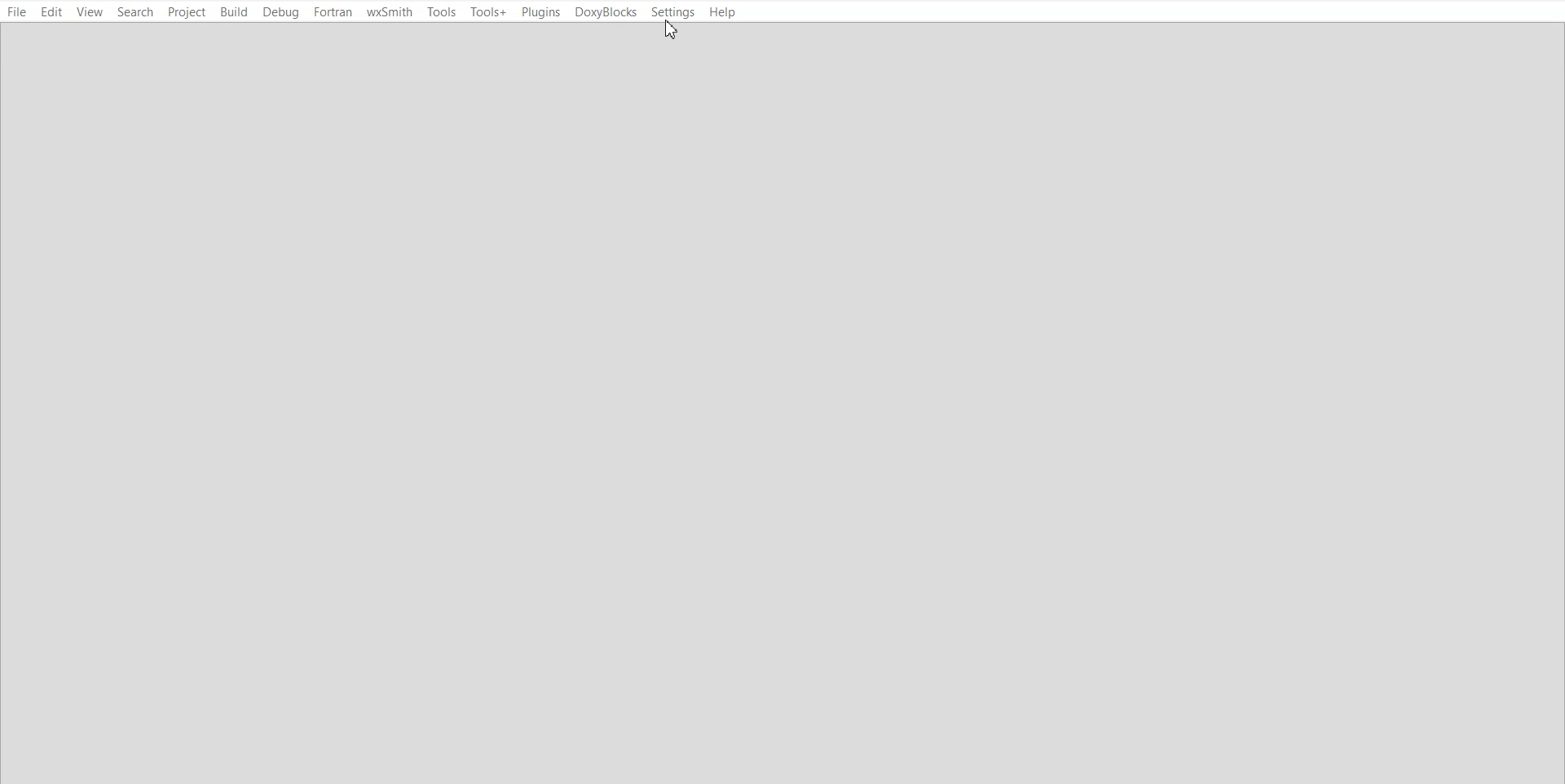  I want to click on Cursor, so click(672, 31).